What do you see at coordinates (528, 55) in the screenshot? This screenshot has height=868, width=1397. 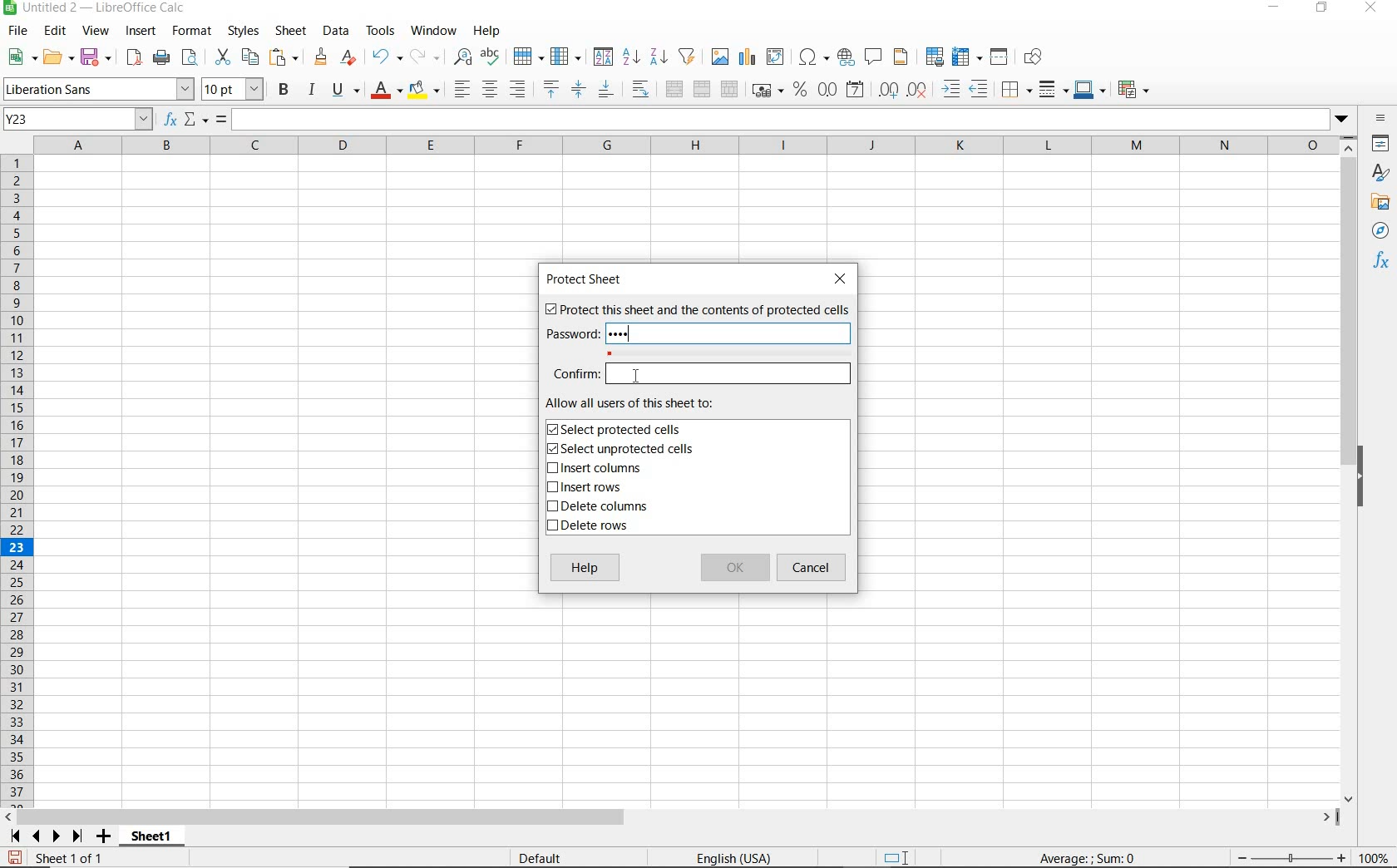 I see `ROW` at bounding box center [528, 55].